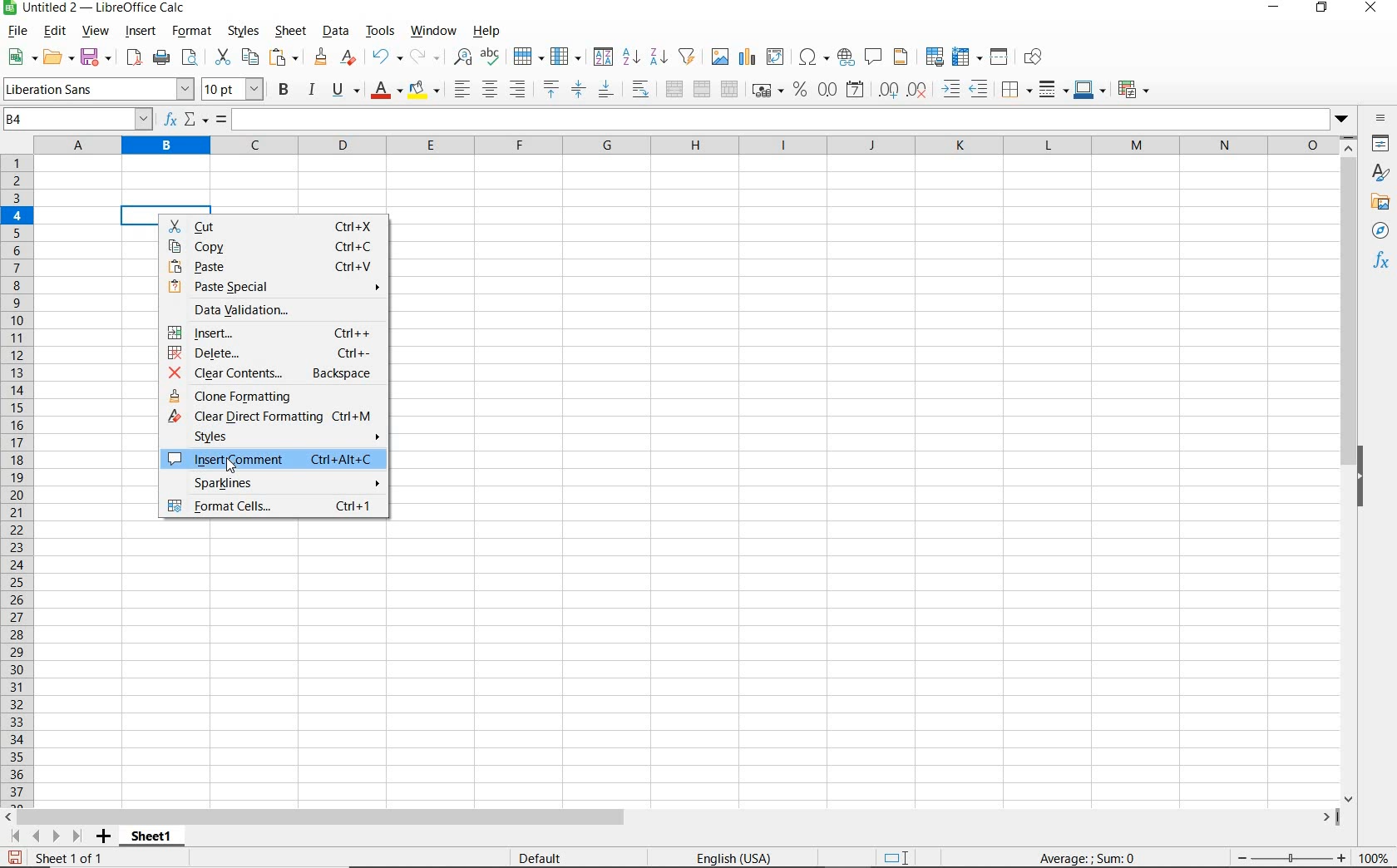 The image size is (1397, 868). What do you see at coordinates (1275, 8) in the screenshot?
I see `minimize` at bounding box center [1275, 8].